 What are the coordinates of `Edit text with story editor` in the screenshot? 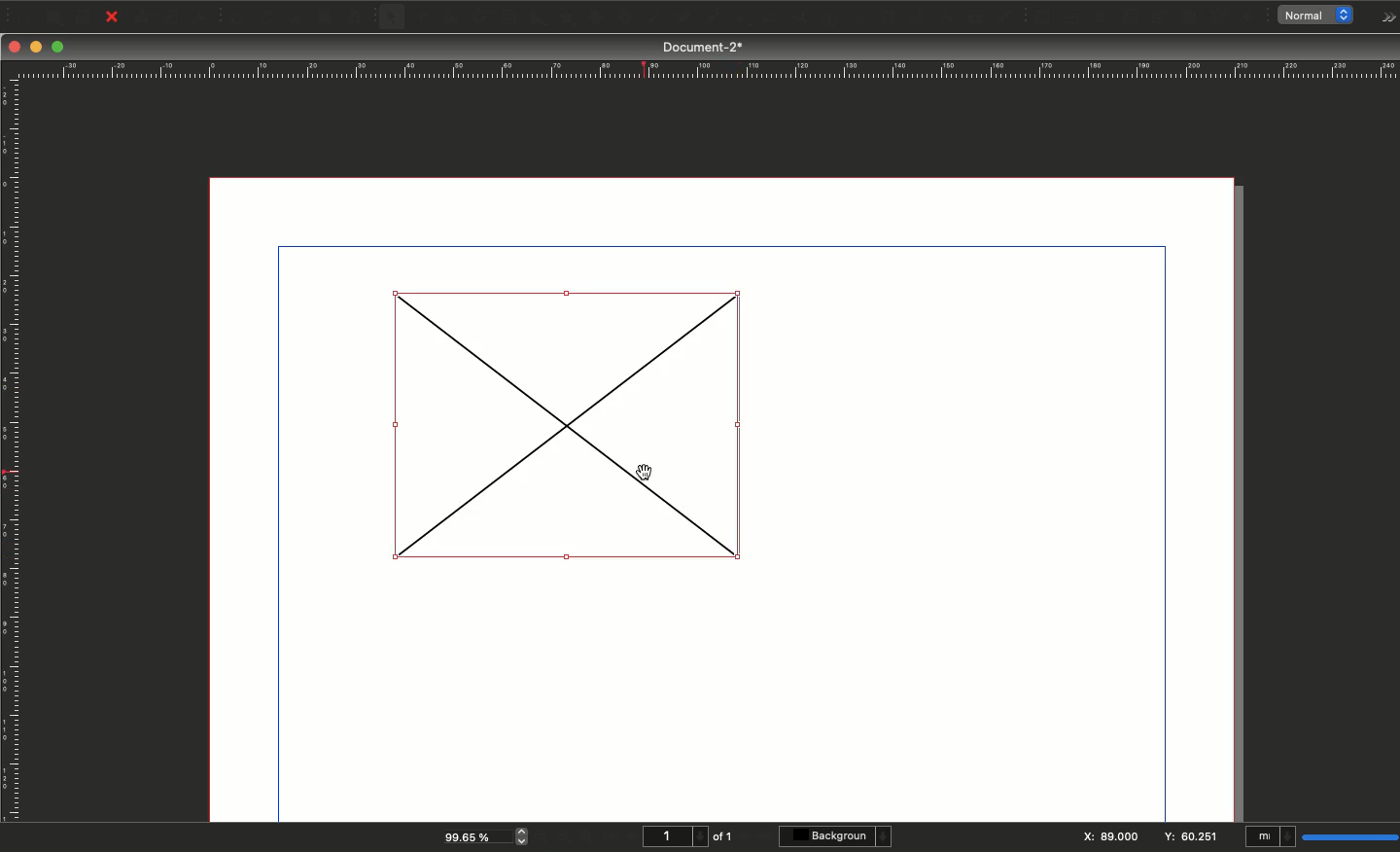 It's located at (841, 18).